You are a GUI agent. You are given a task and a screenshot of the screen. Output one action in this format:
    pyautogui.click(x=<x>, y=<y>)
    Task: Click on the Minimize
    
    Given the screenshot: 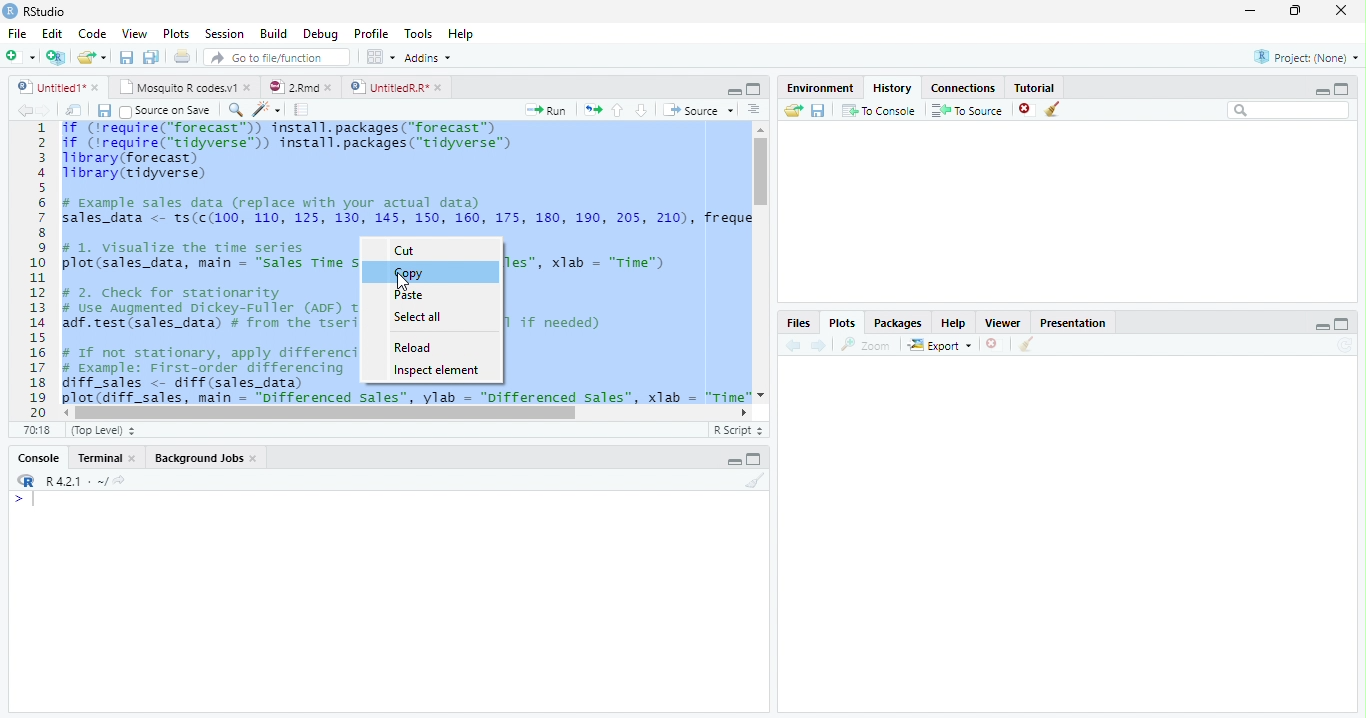 What is the action you would take?
    pyautogui.click(x=1321, y=89)
    